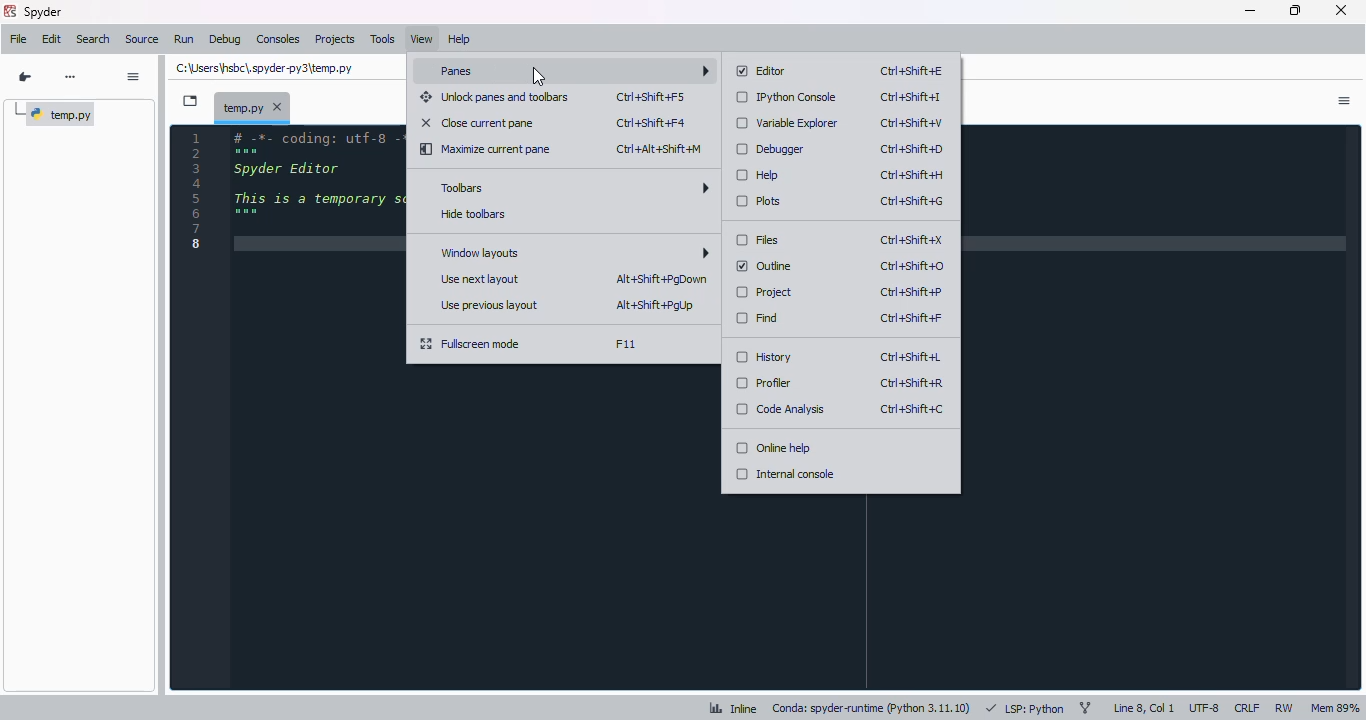 The width and height of the screenshot is (1366, 720). I want to click on projects, so click(335, 39).